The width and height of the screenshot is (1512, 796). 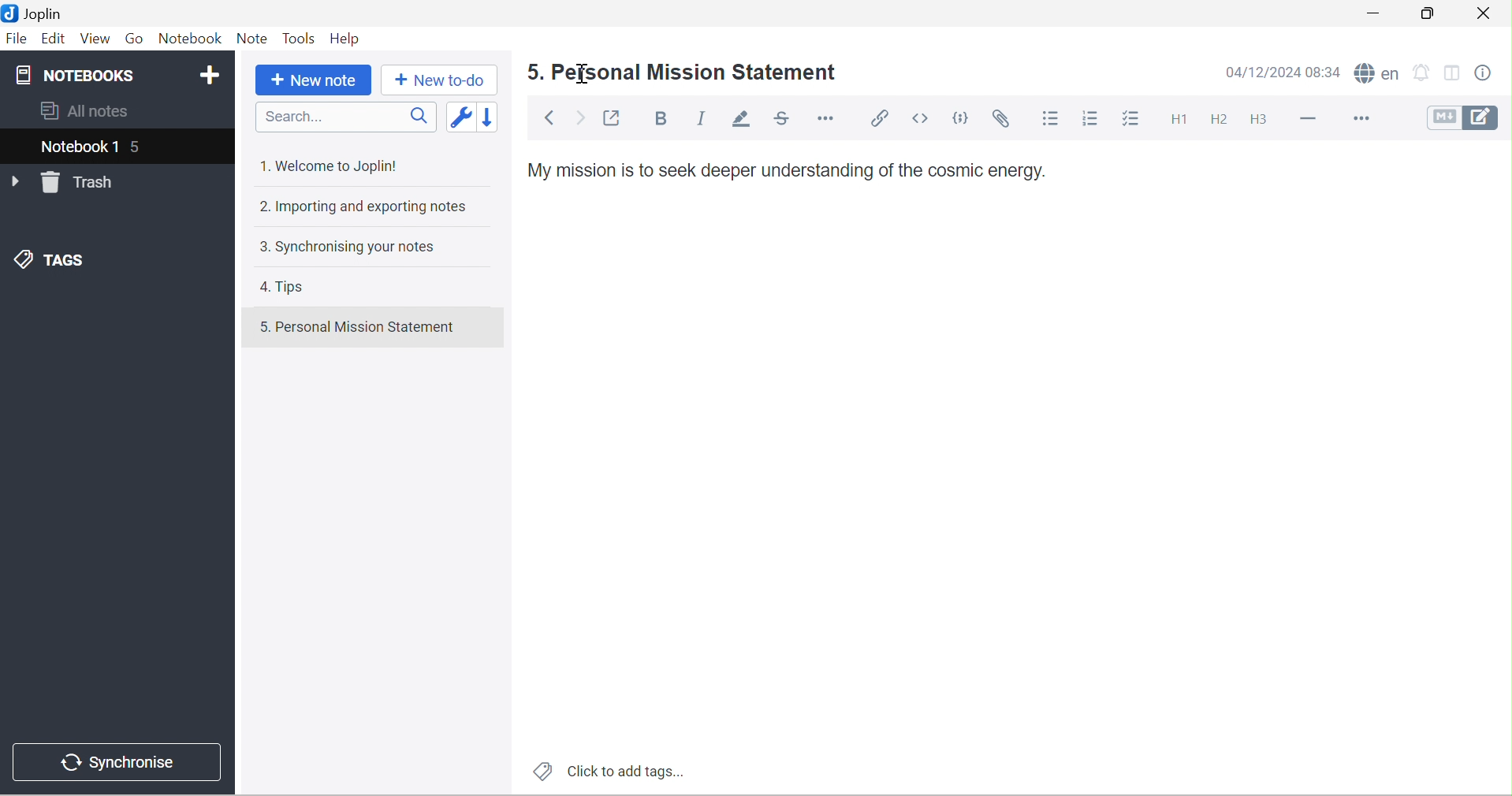 What do you see at coordinates (488, 119) in the screenshot?
I see `Reverse sort order` at bounding box center [488, 119].